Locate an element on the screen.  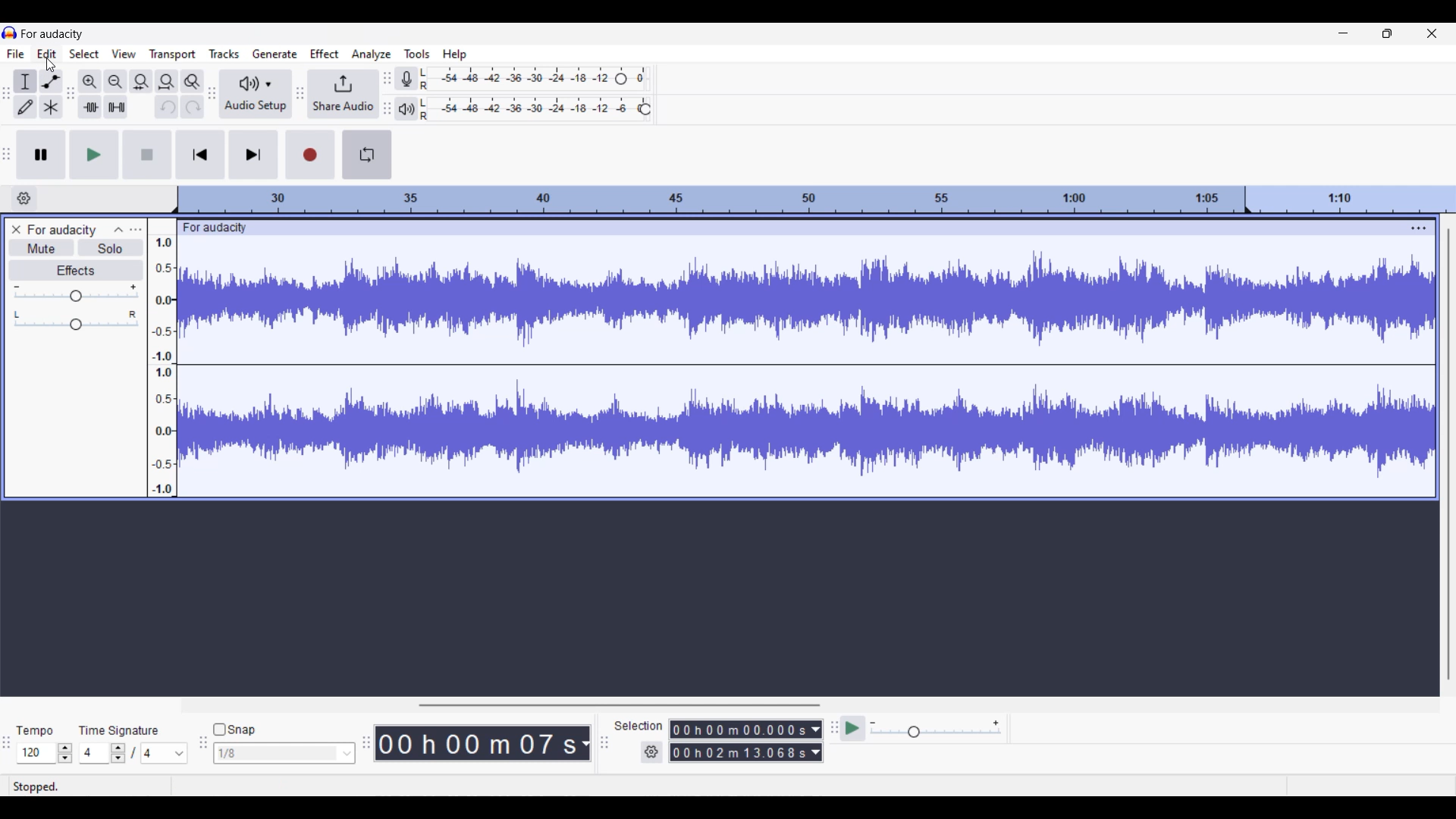
Duration is located at coordinates (739, 740).